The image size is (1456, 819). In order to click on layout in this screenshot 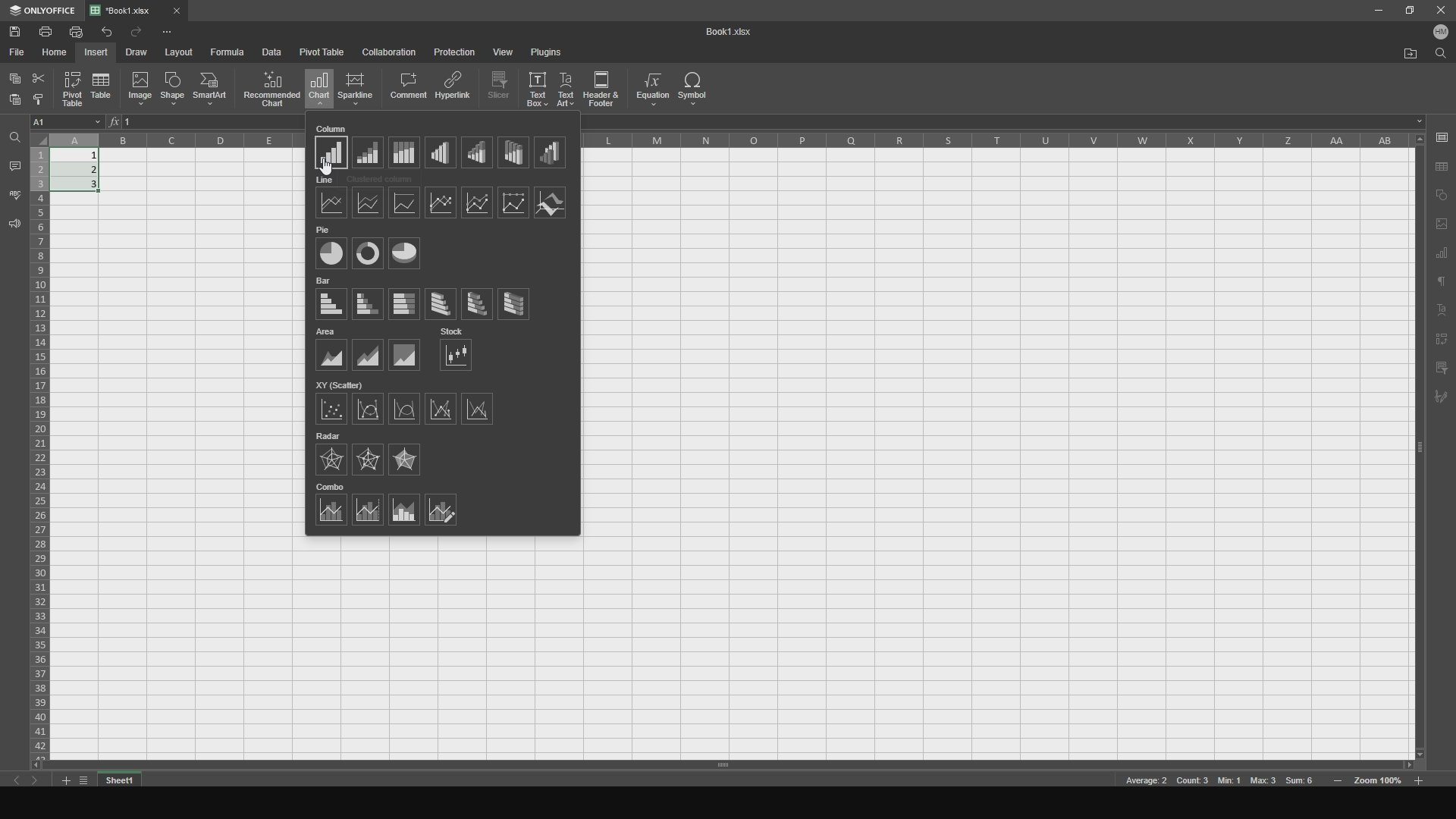, I will do `click(181, 52)`.